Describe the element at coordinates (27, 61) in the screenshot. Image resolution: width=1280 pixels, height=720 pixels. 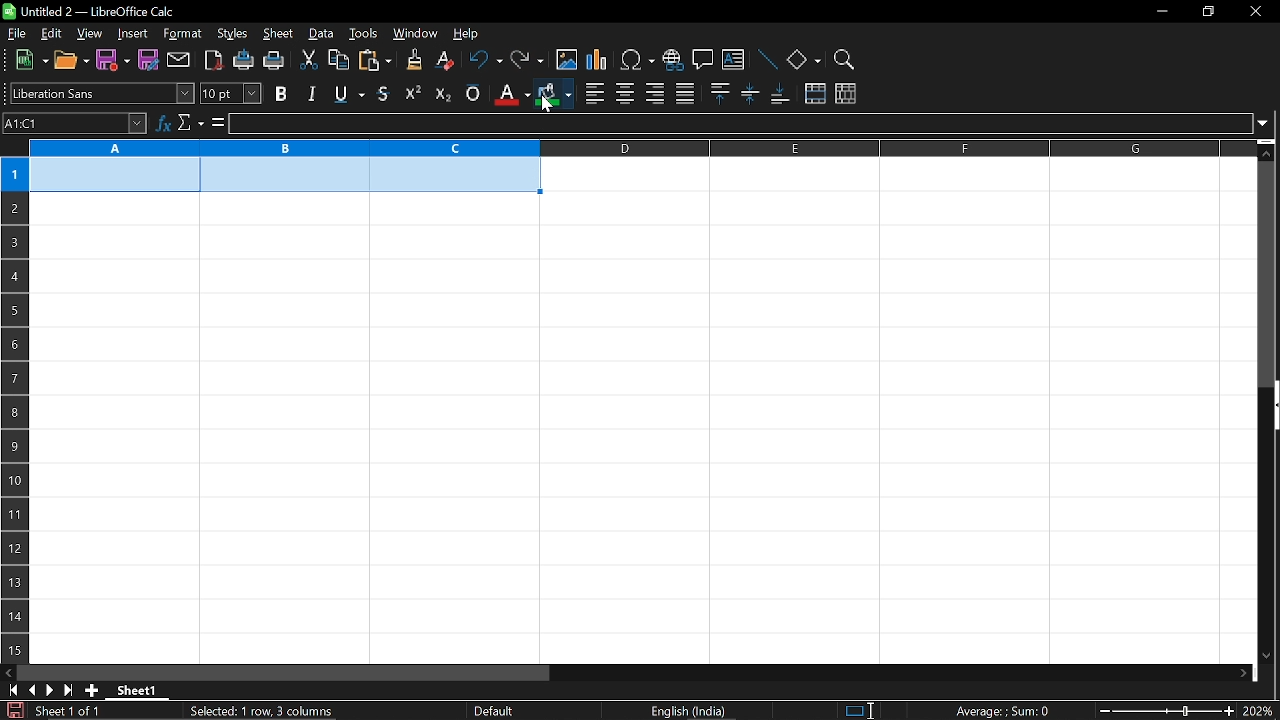
I see `new` at that location.